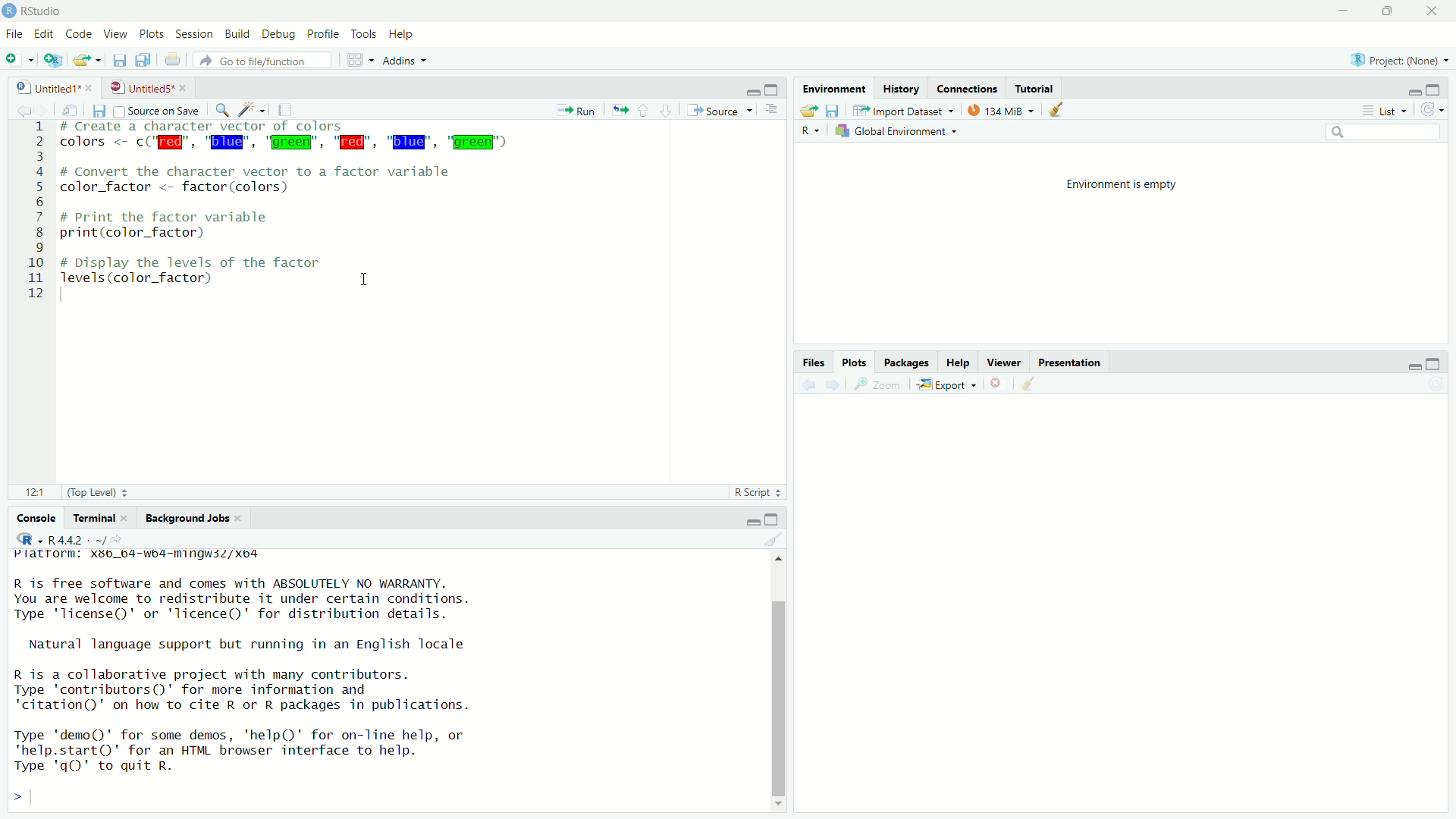 Image resolution: width=1456 pixels, height=819 pixels. Describe the element at coordinates (189, 224) in the screenshot. I see `# Print the factor variable
print(color_factor)` at that location.